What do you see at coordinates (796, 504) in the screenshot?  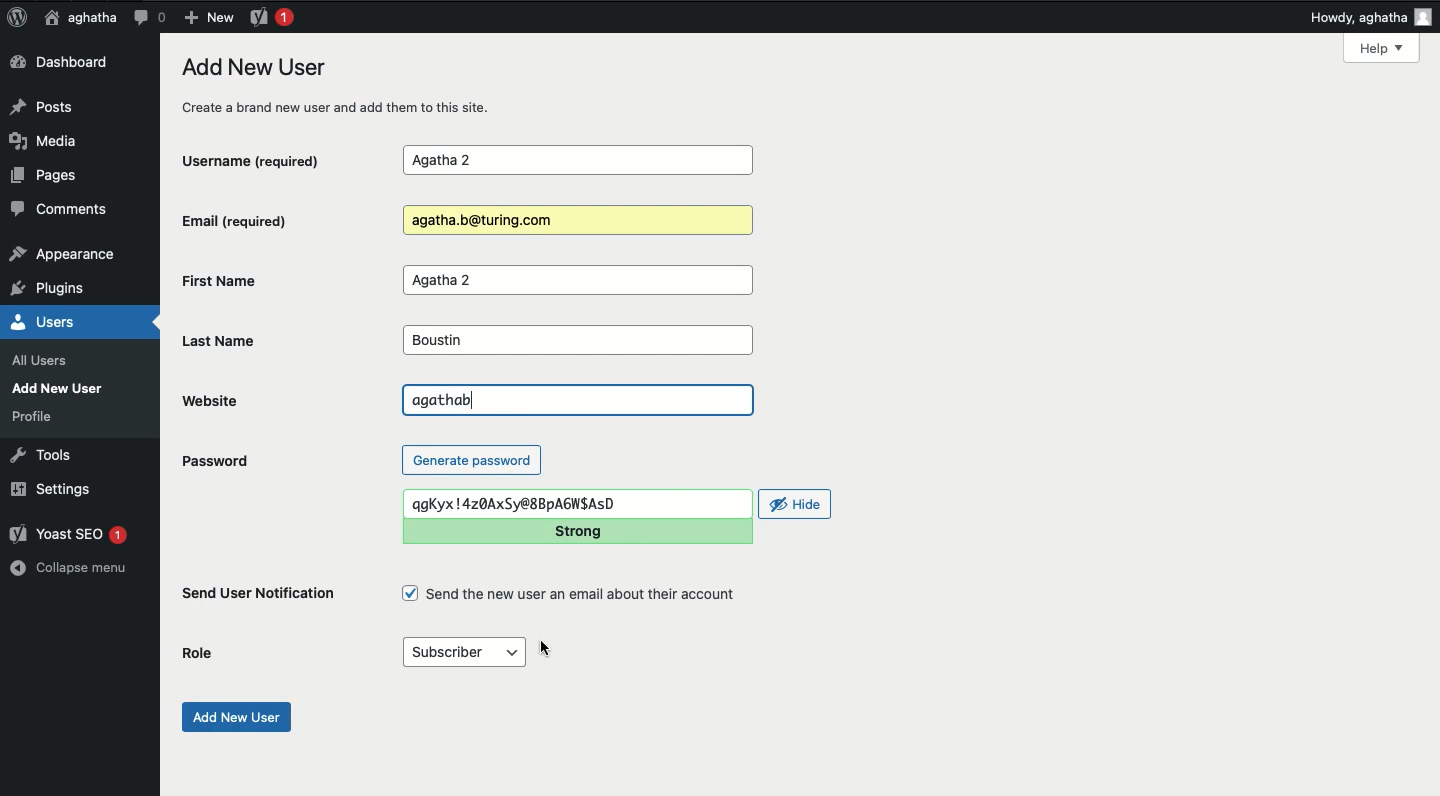 I see `Hide` at bounding box center [796, 504].